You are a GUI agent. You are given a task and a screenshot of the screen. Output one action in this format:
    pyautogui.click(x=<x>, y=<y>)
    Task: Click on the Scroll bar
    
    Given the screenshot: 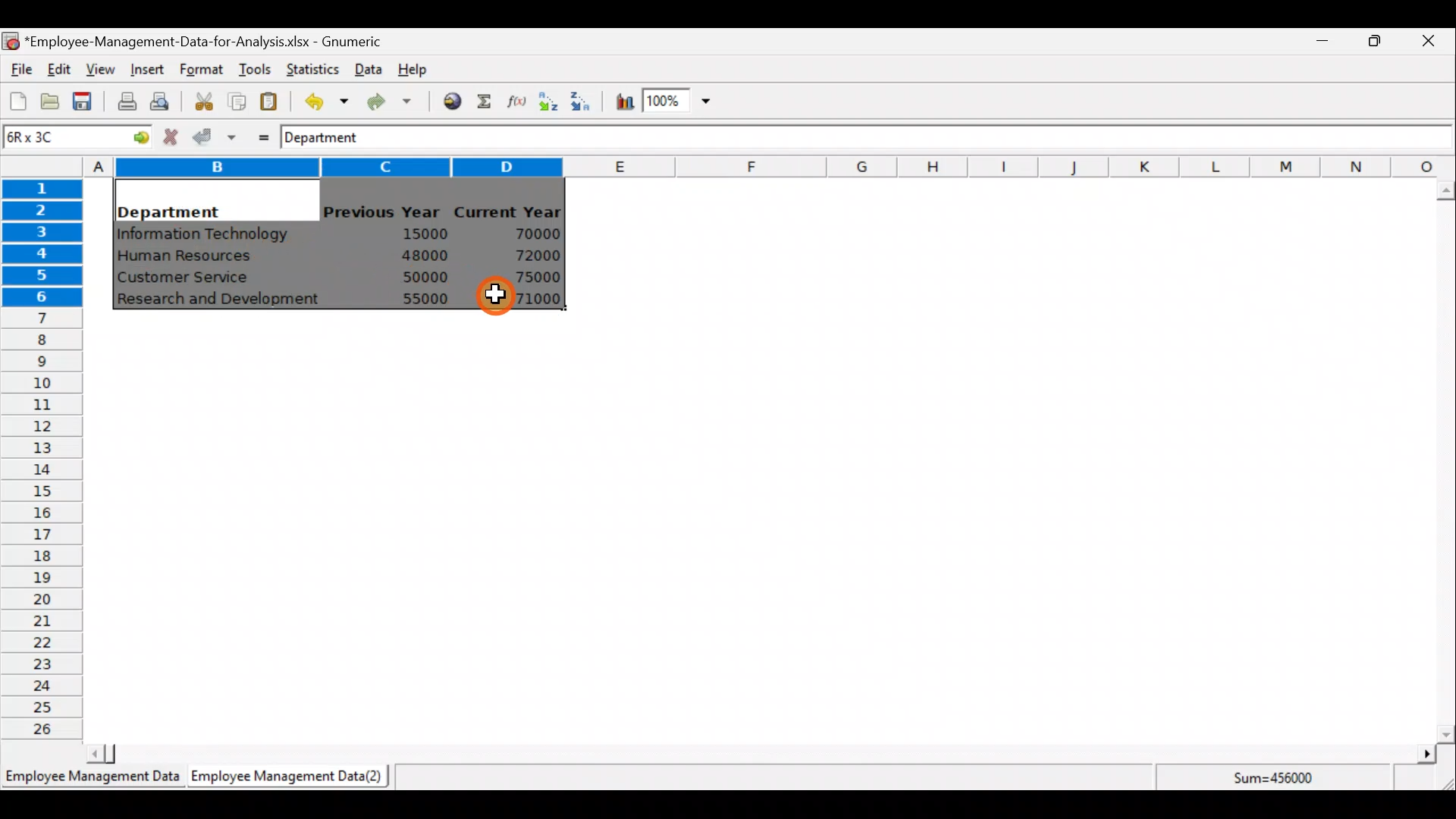 What is the action you would take?
    pyautogui.click(x=758, y=754)
    